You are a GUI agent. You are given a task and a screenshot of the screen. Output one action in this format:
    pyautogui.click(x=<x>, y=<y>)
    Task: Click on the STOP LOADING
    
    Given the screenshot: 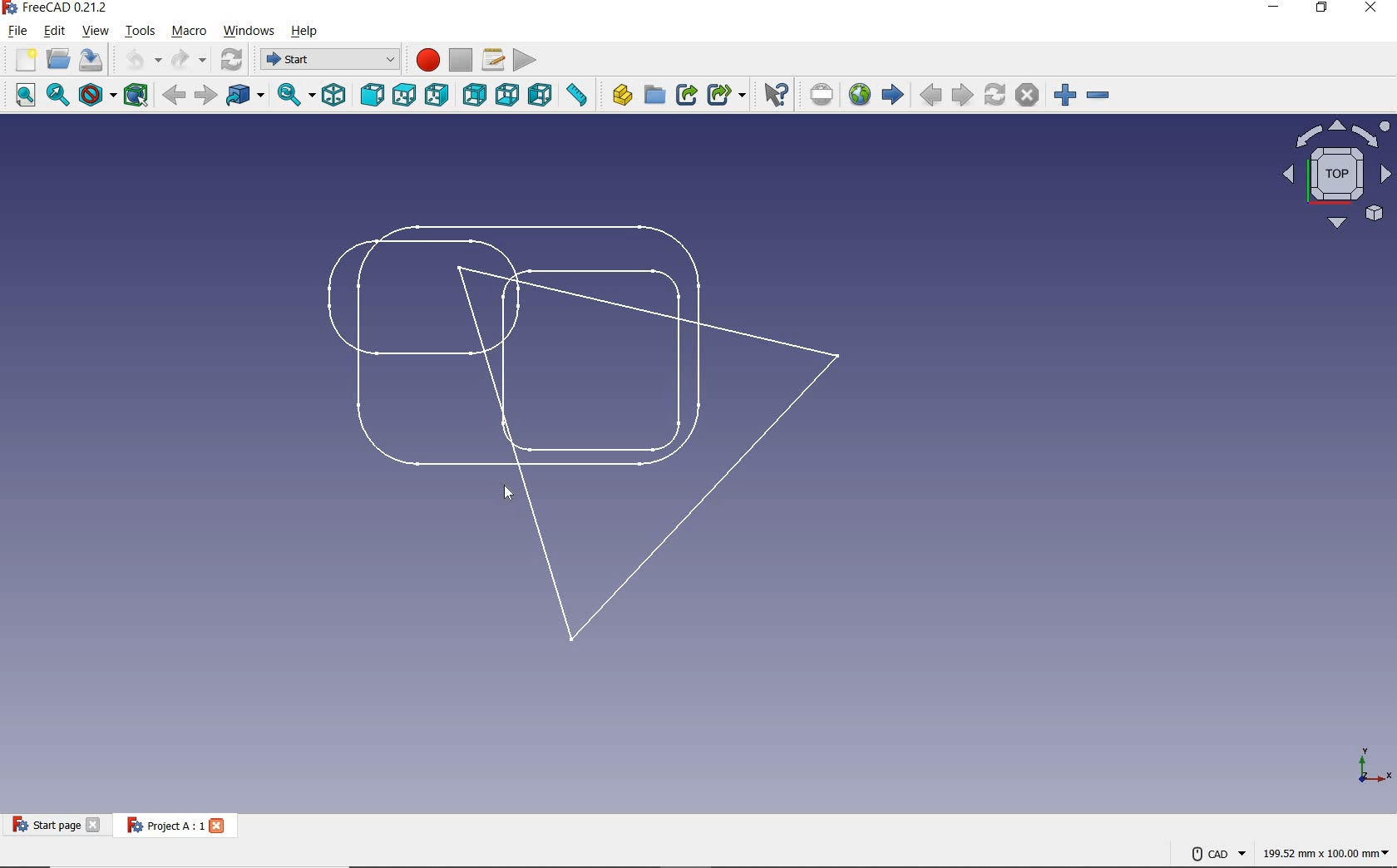 What is the action you would take?
    pyautogui.click(x=1027, y=95)
    